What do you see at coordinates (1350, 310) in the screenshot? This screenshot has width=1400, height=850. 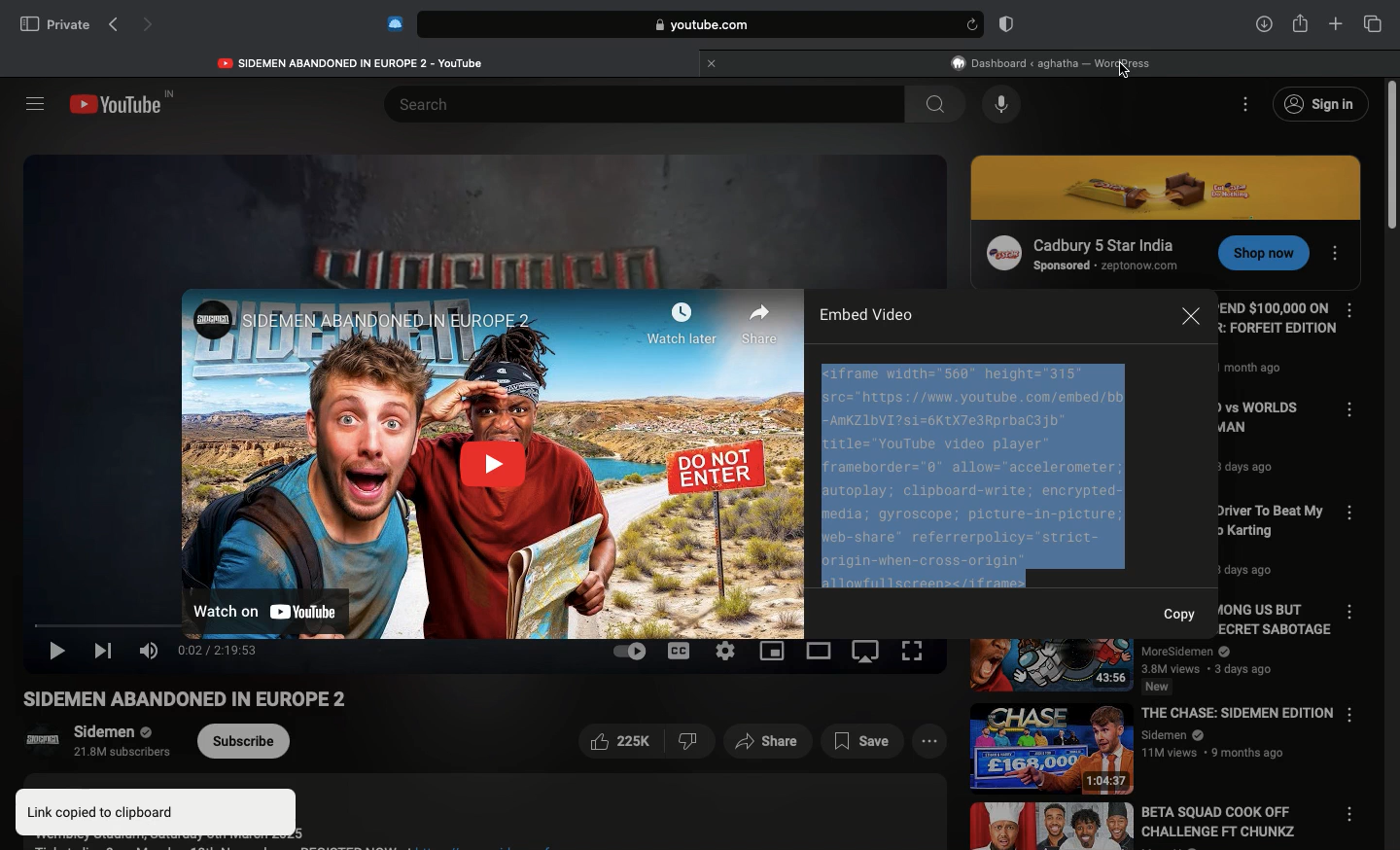 I see `Options` at bounding box center [1350, 310].